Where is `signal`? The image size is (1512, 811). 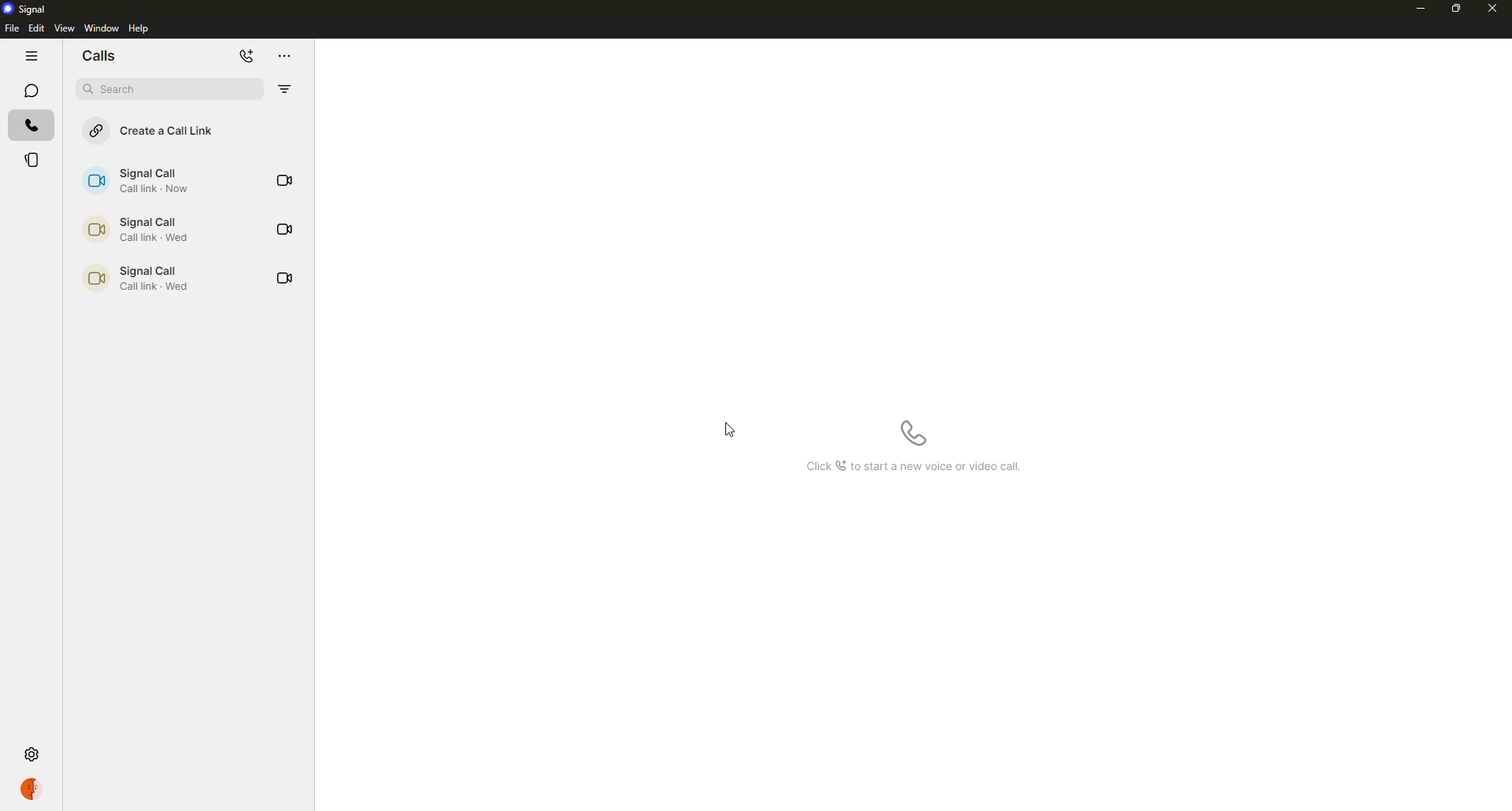
signal is located at coordinates (27, 9).